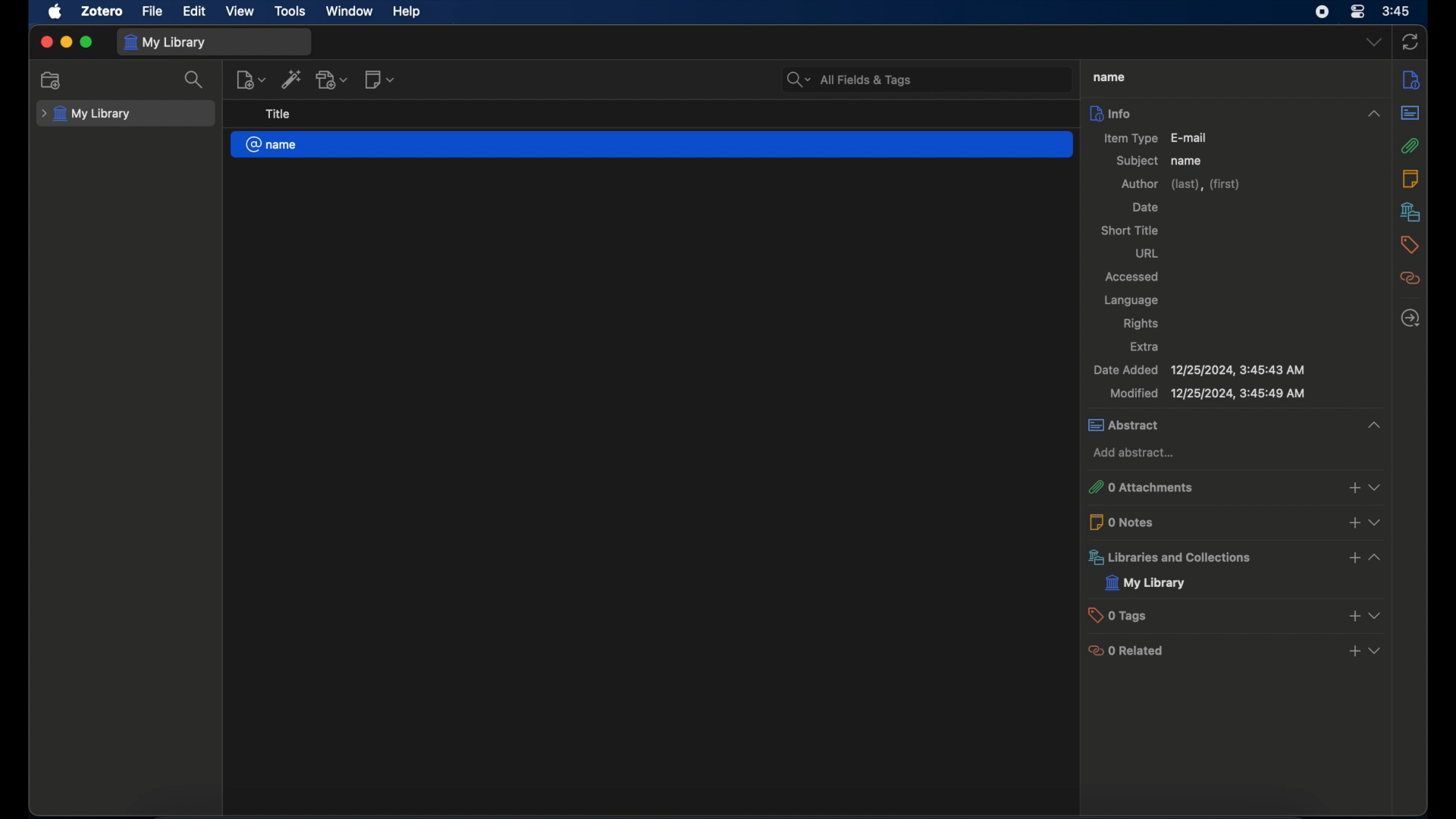 This screenshot has height=819, width=1456. What do you see at coordinates (1321, 12) in the screenshot?
I see `screen recorder` at bounding box center [1321, 12].